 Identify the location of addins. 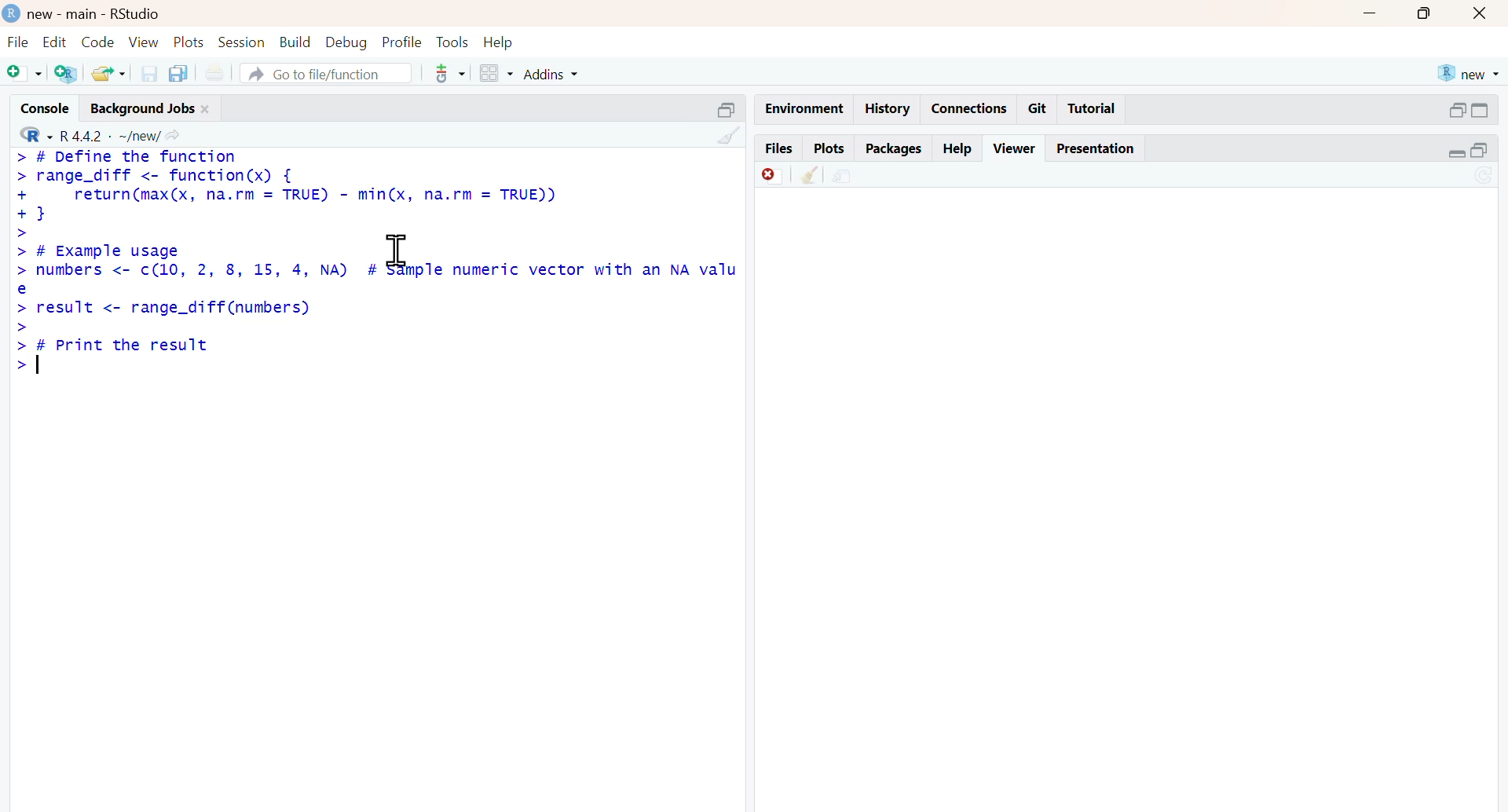
(553, 75).